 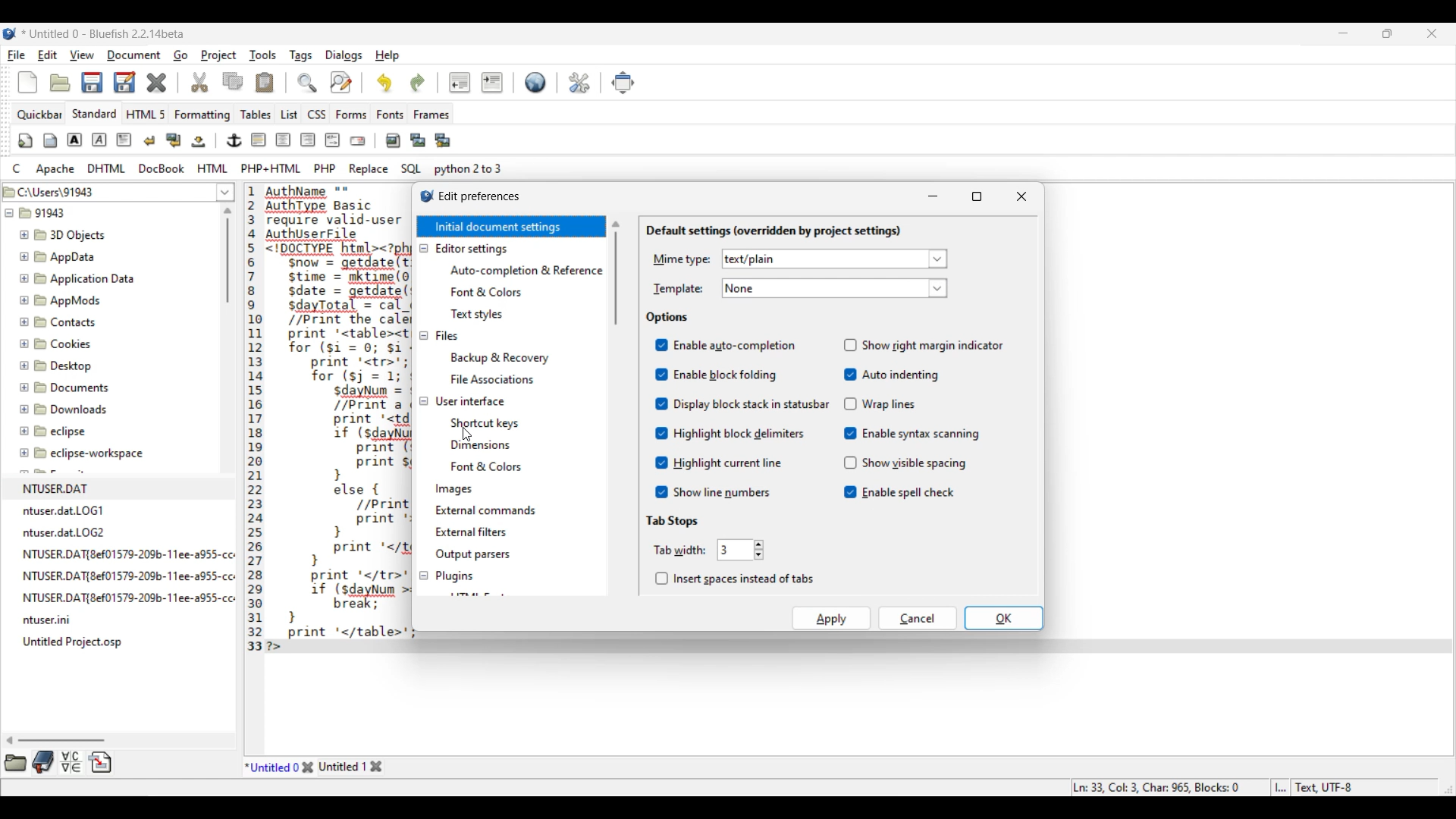 I want to click on 91943, so click(x=45, y=215).